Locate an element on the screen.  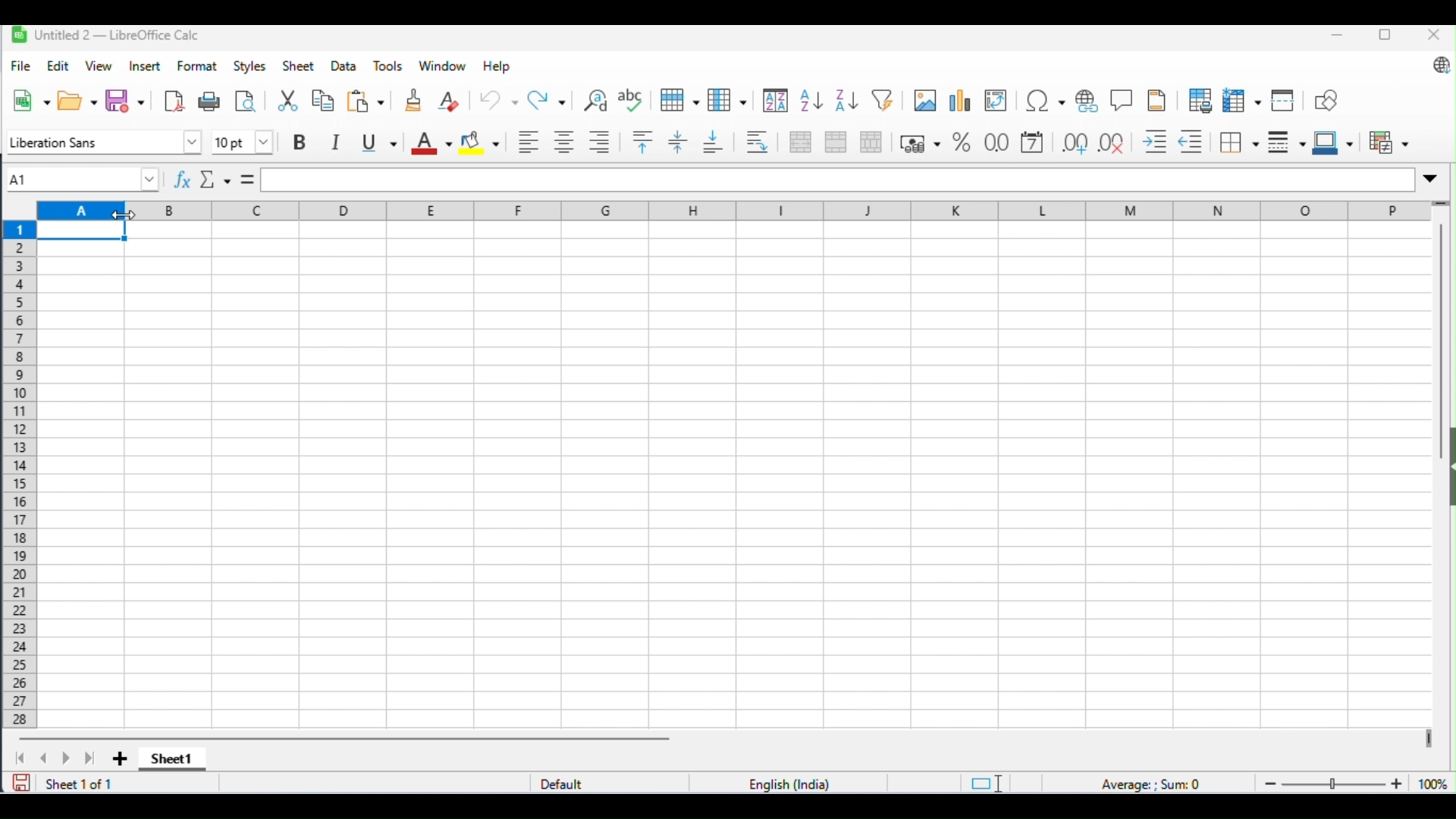
expand is located at coordinates (1429, 180).